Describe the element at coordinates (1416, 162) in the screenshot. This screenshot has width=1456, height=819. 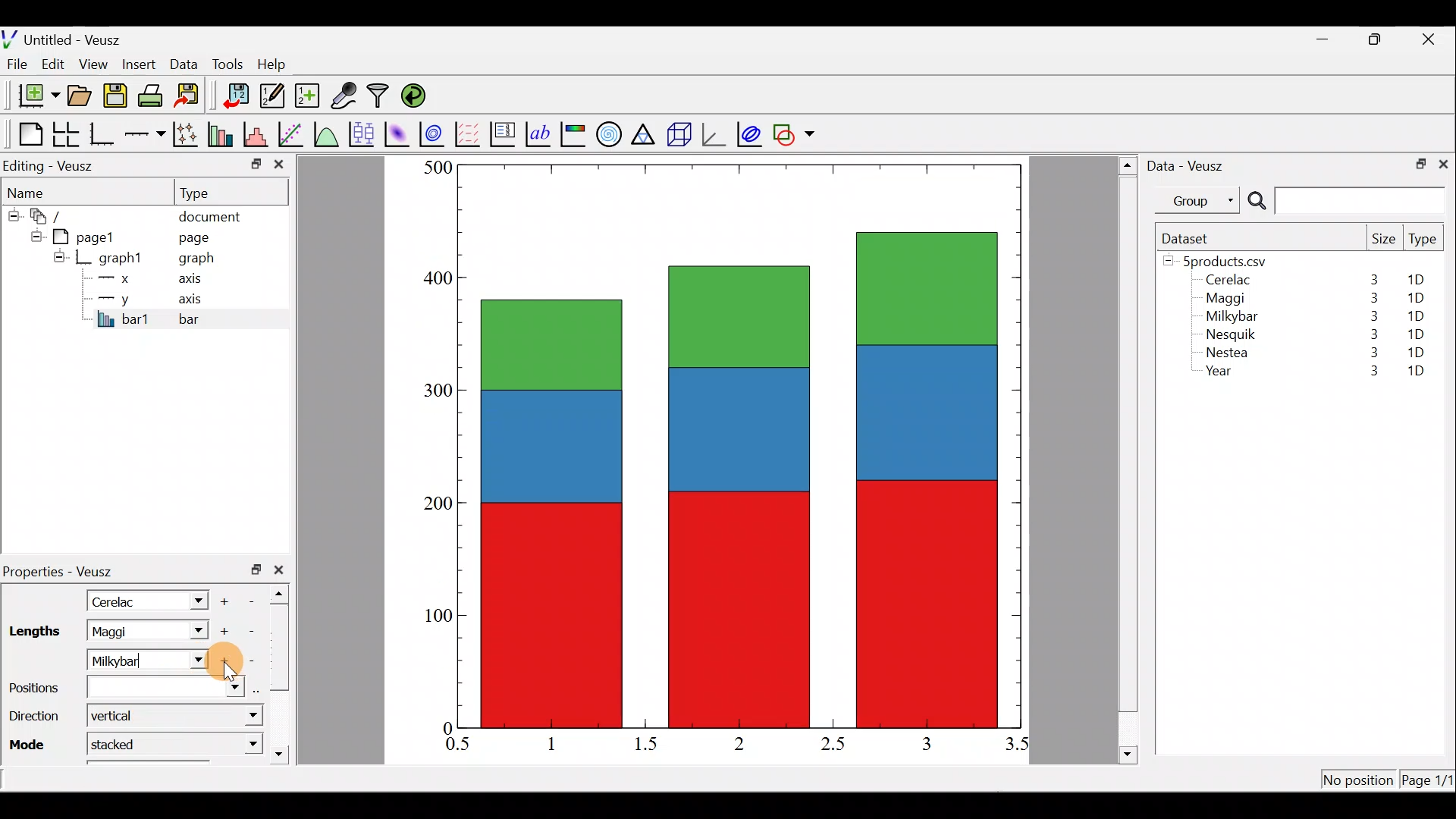
I see `restore down` at that location.